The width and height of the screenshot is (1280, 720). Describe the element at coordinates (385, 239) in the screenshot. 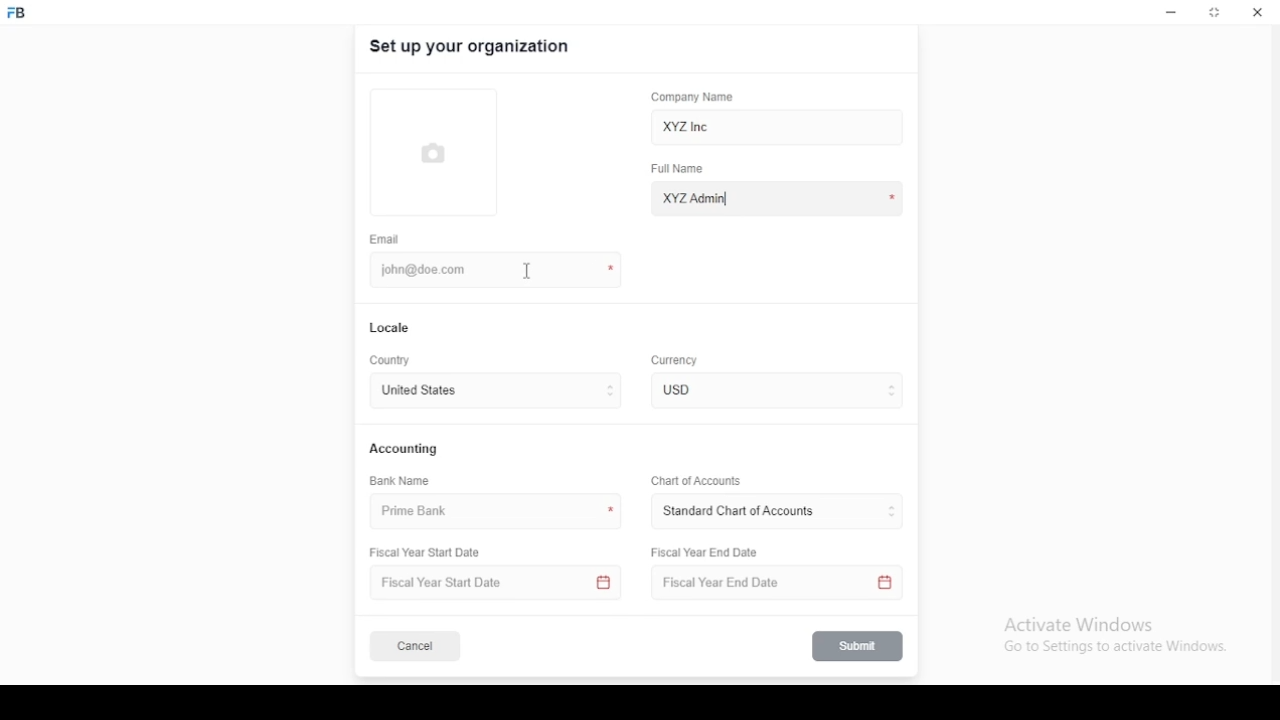

I see `email` at that location.